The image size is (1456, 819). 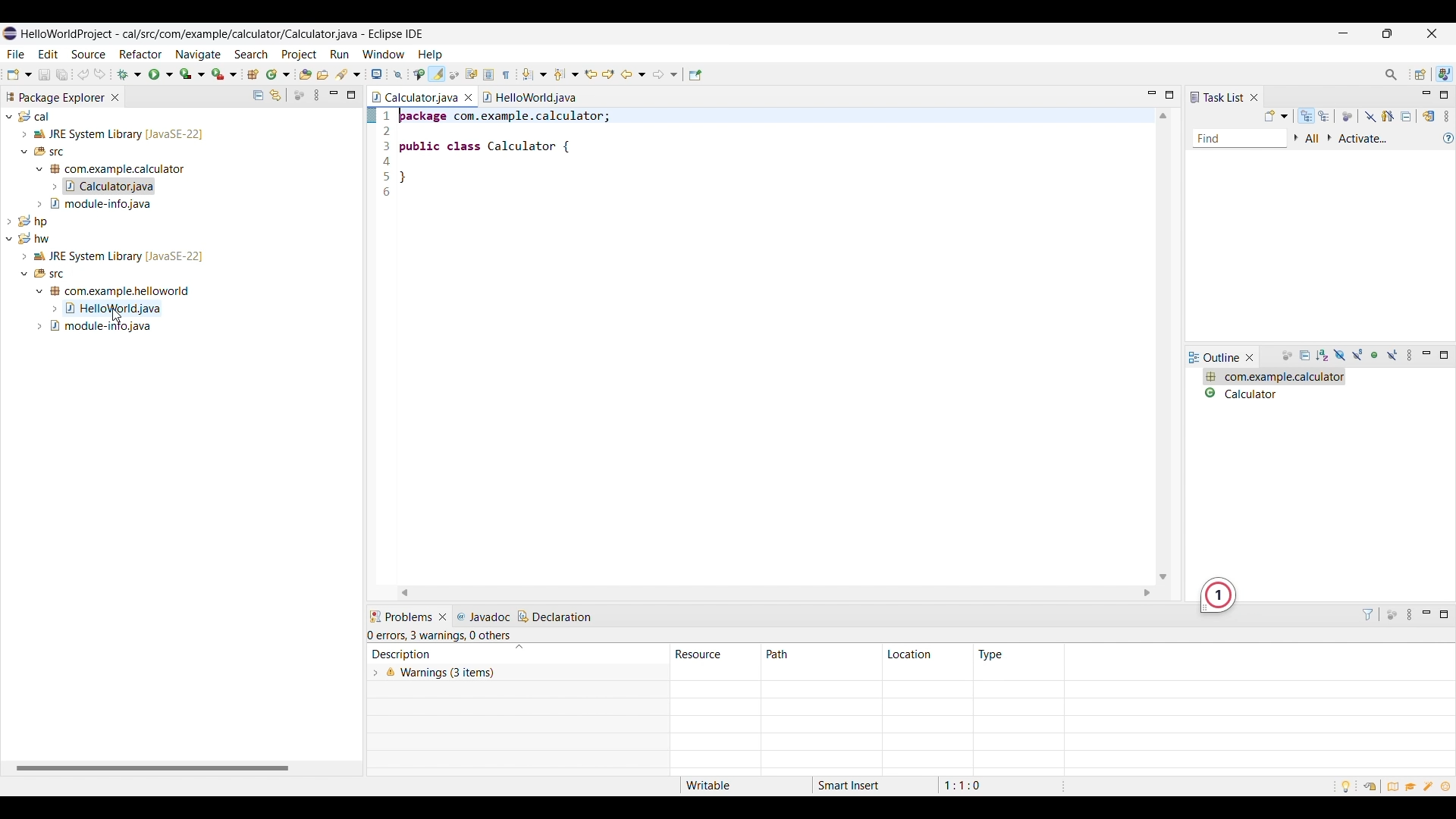 What do you see at coordinates (1389, 116) in the screenshot?
I see `Show only my tasks` at bounding box center [1389, 116].